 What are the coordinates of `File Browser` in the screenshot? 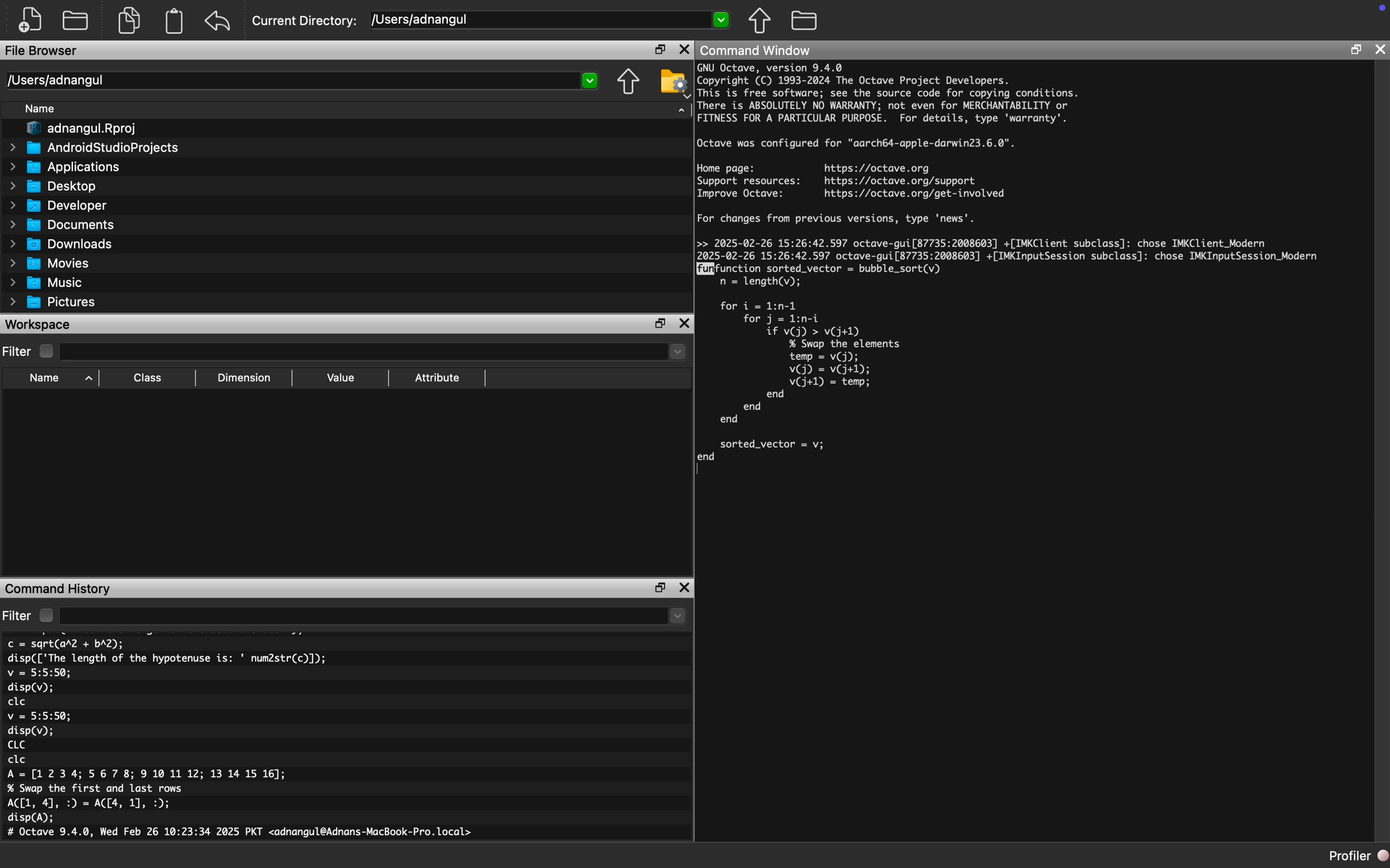 It's located at (43, 51).